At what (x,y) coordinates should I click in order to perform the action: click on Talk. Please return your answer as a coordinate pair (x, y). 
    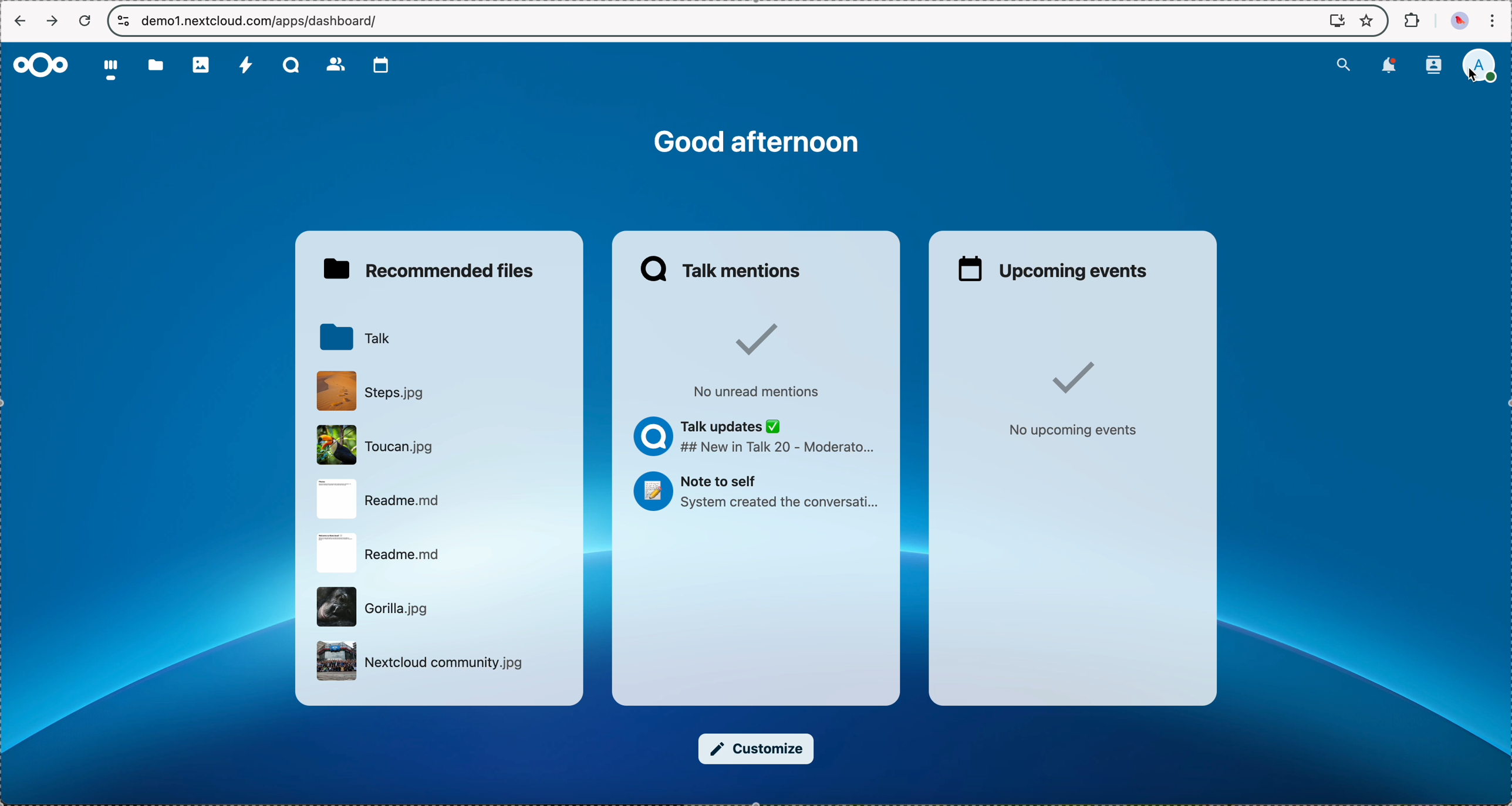
    Looking at the image, I should click on (289, 66).